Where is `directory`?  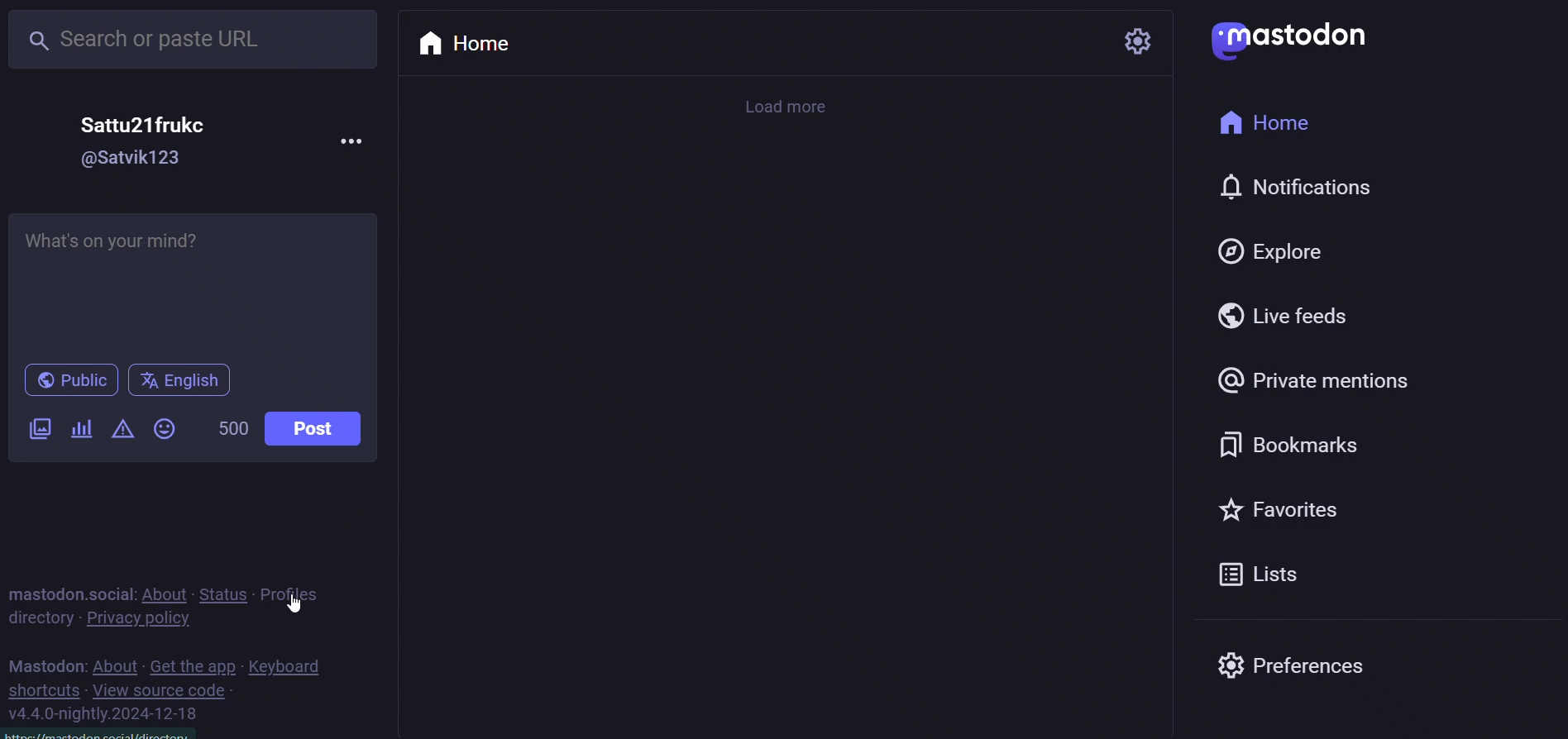 directory is located at coordinates (42, 618).